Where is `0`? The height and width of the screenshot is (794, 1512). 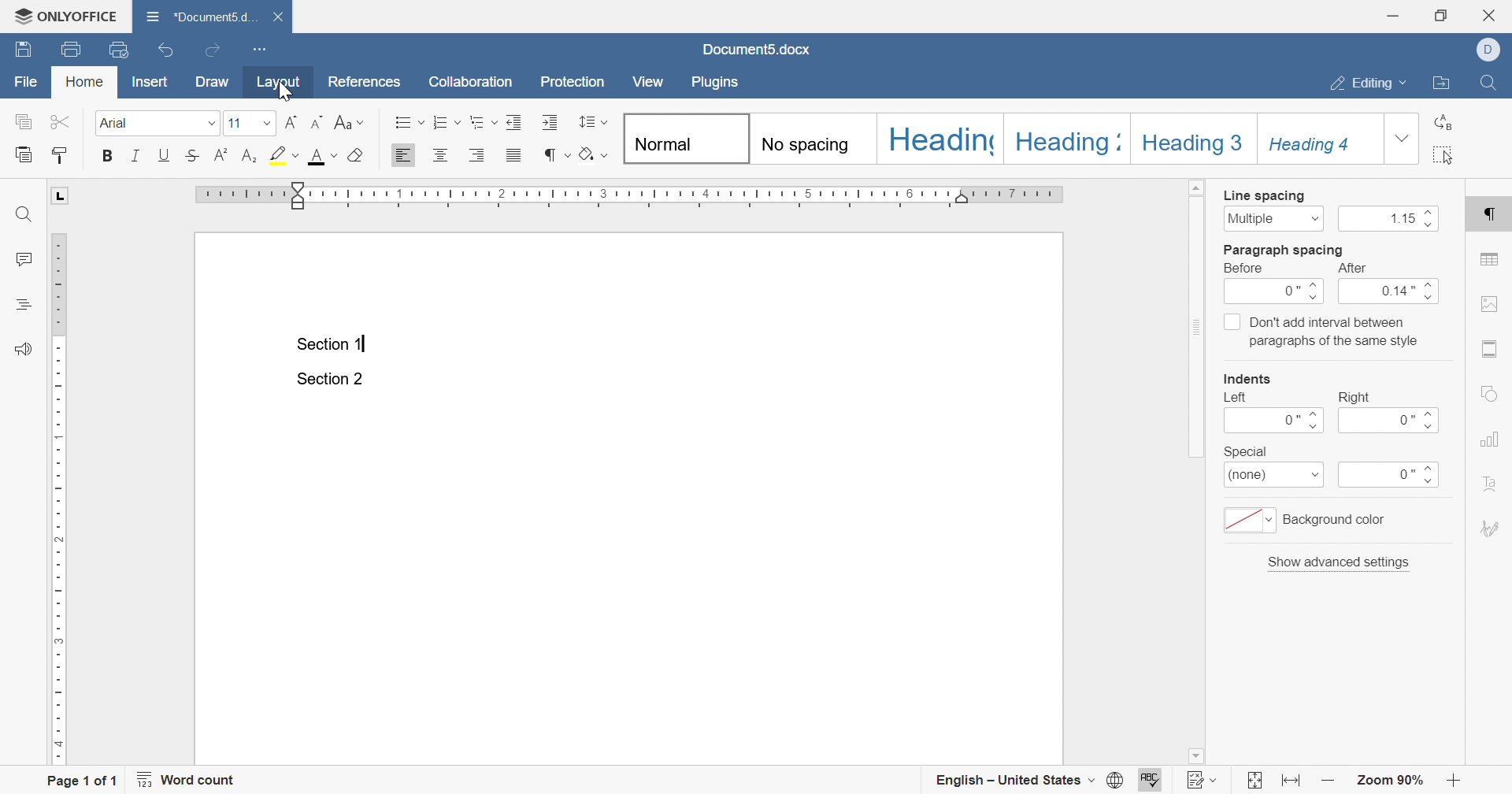 0 is located at coordinates (1273, 421).